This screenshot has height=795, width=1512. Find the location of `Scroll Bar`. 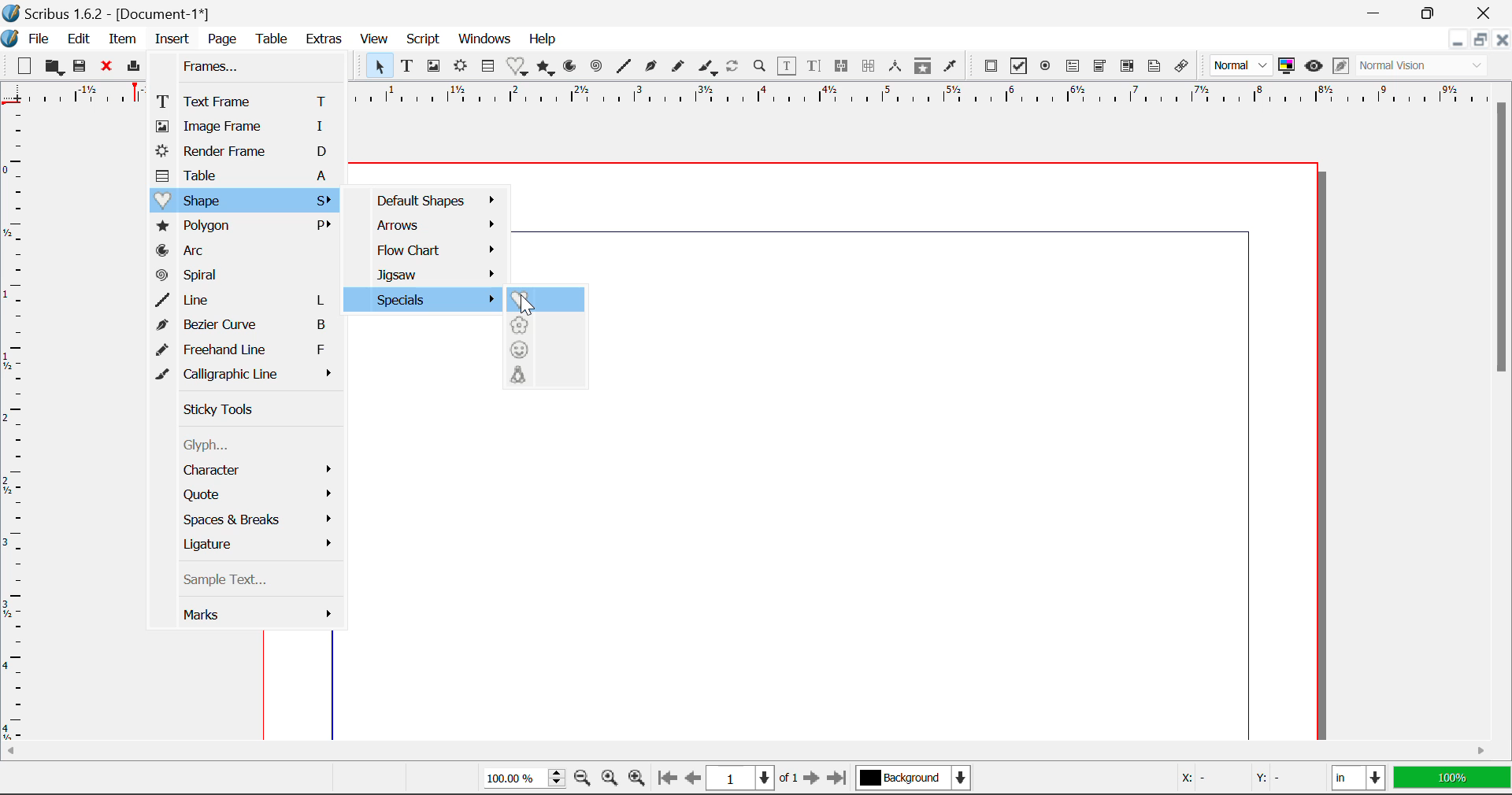

Scroll Bar is located at coordinates (1503, 407).